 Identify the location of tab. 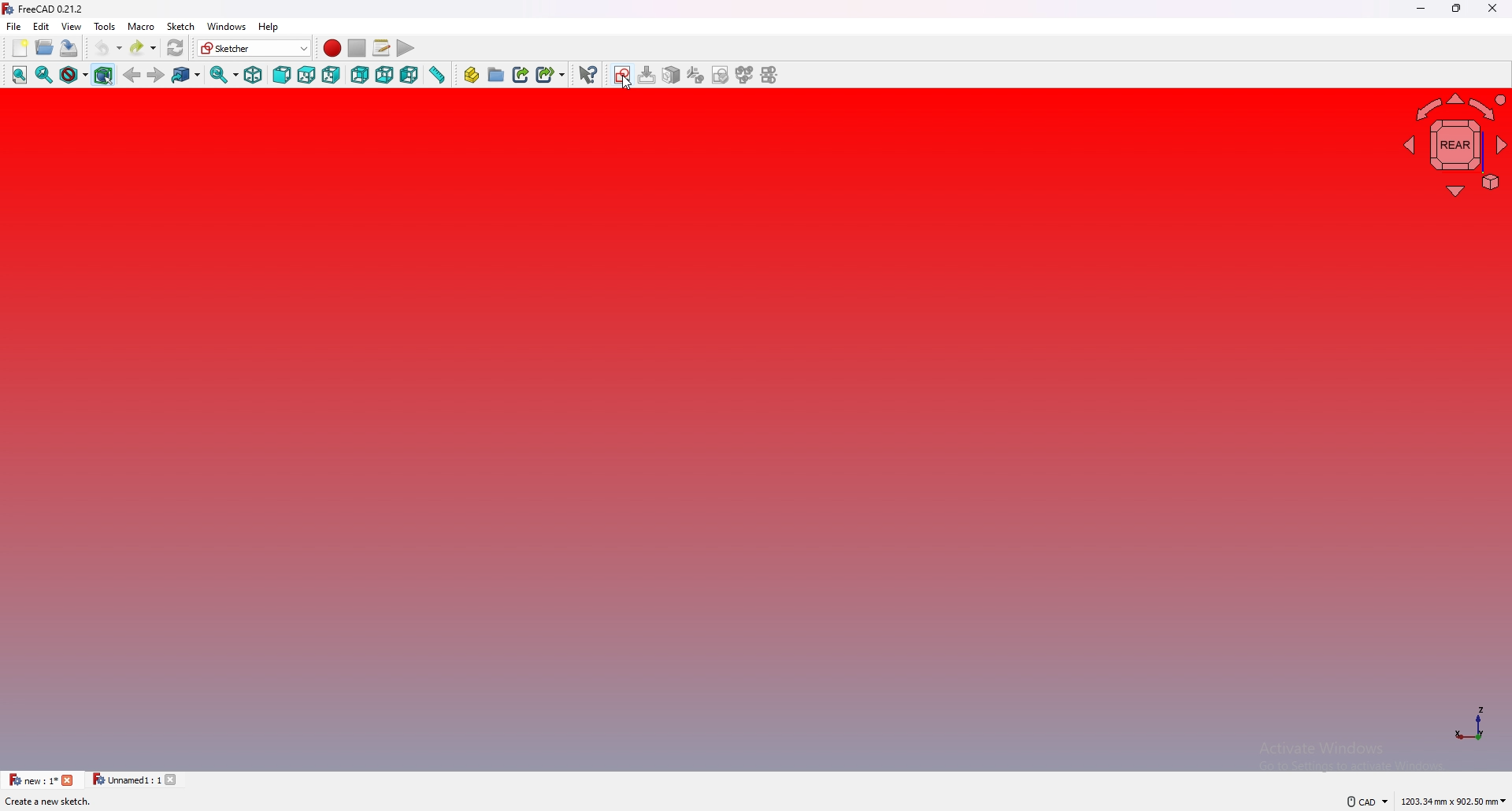
(699, 74).